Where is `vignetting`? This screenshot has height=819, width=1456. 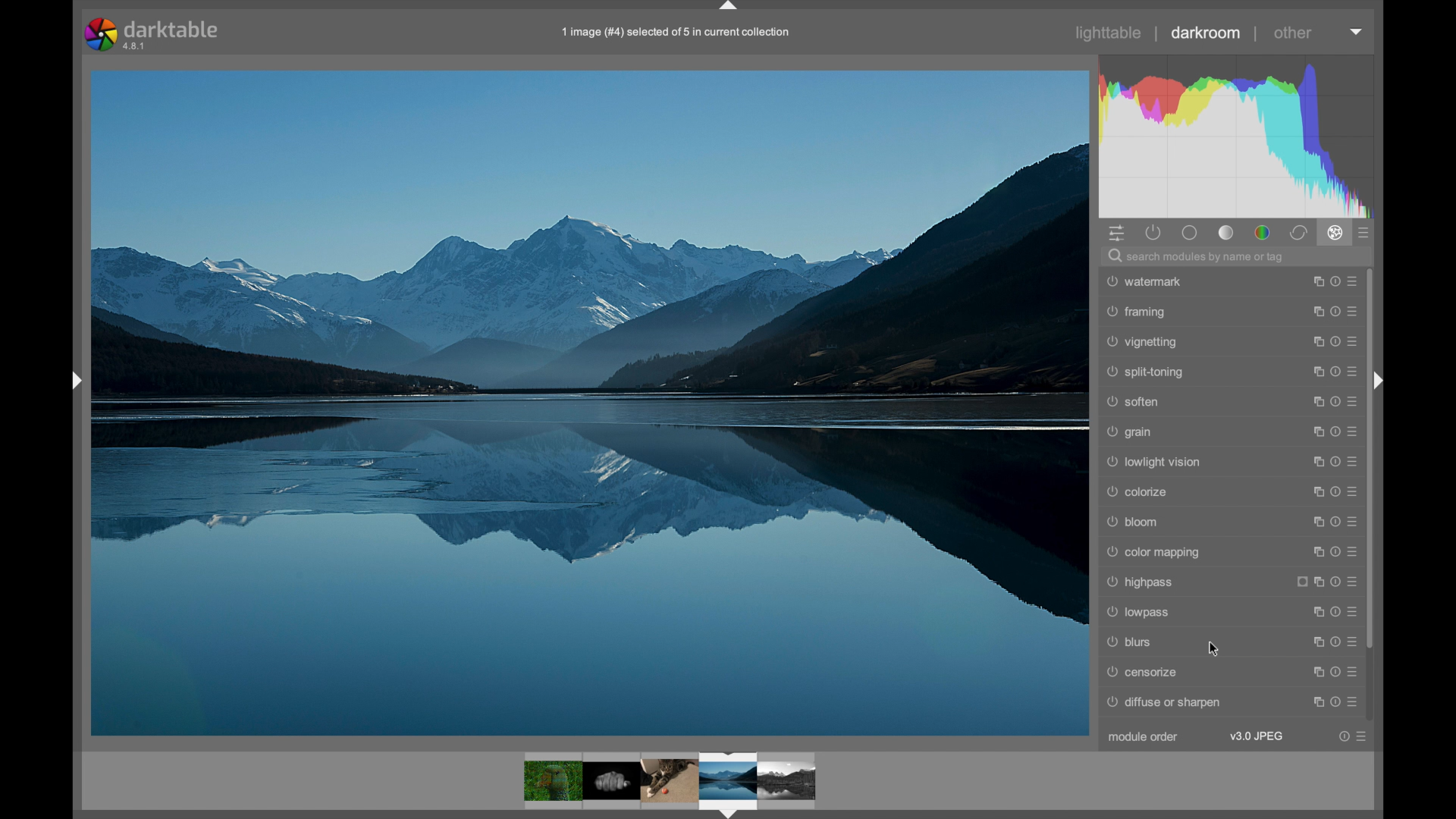
vignetting is located at coordinates (1143, 342).